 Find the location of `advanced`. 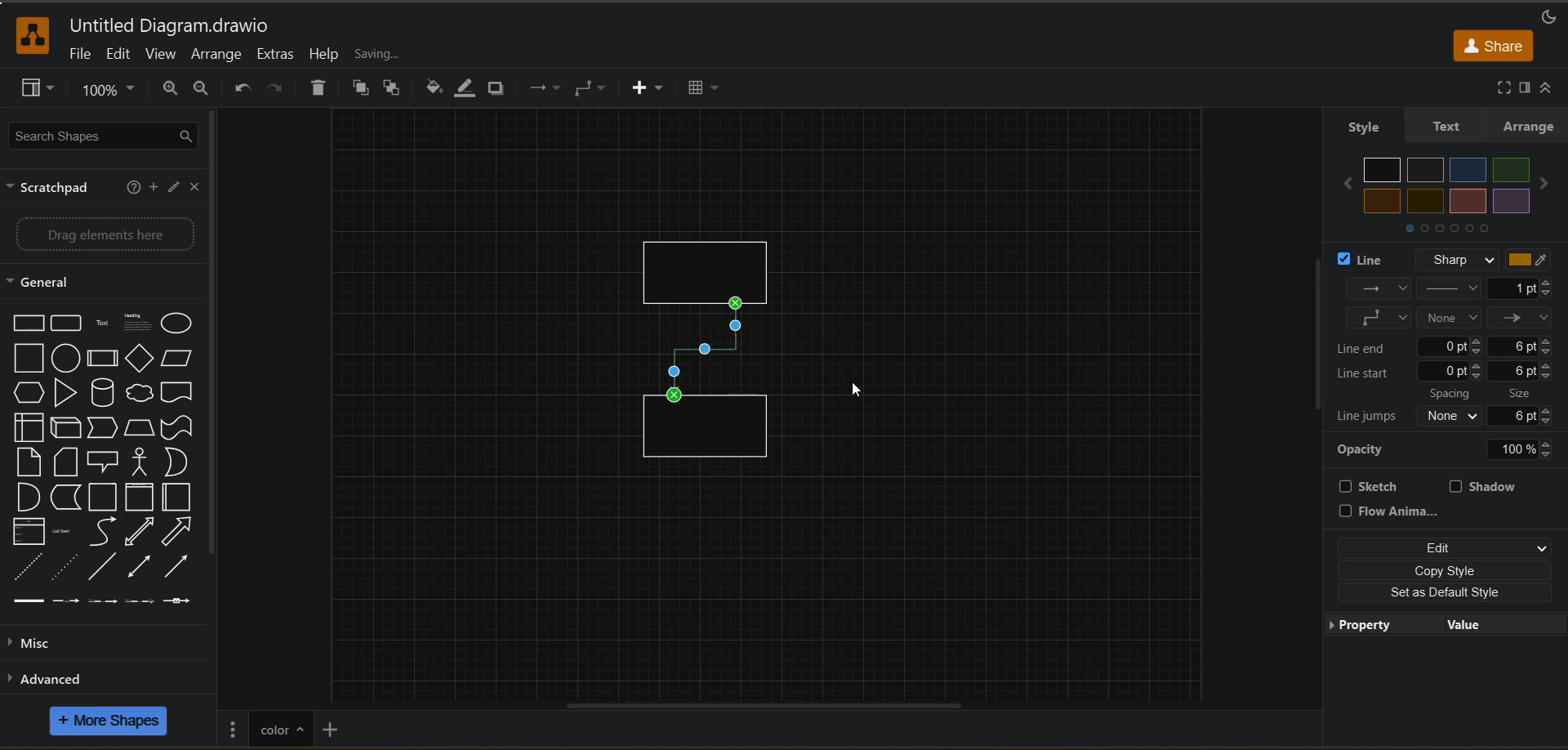

advanced is located at coordinates (70, 678).